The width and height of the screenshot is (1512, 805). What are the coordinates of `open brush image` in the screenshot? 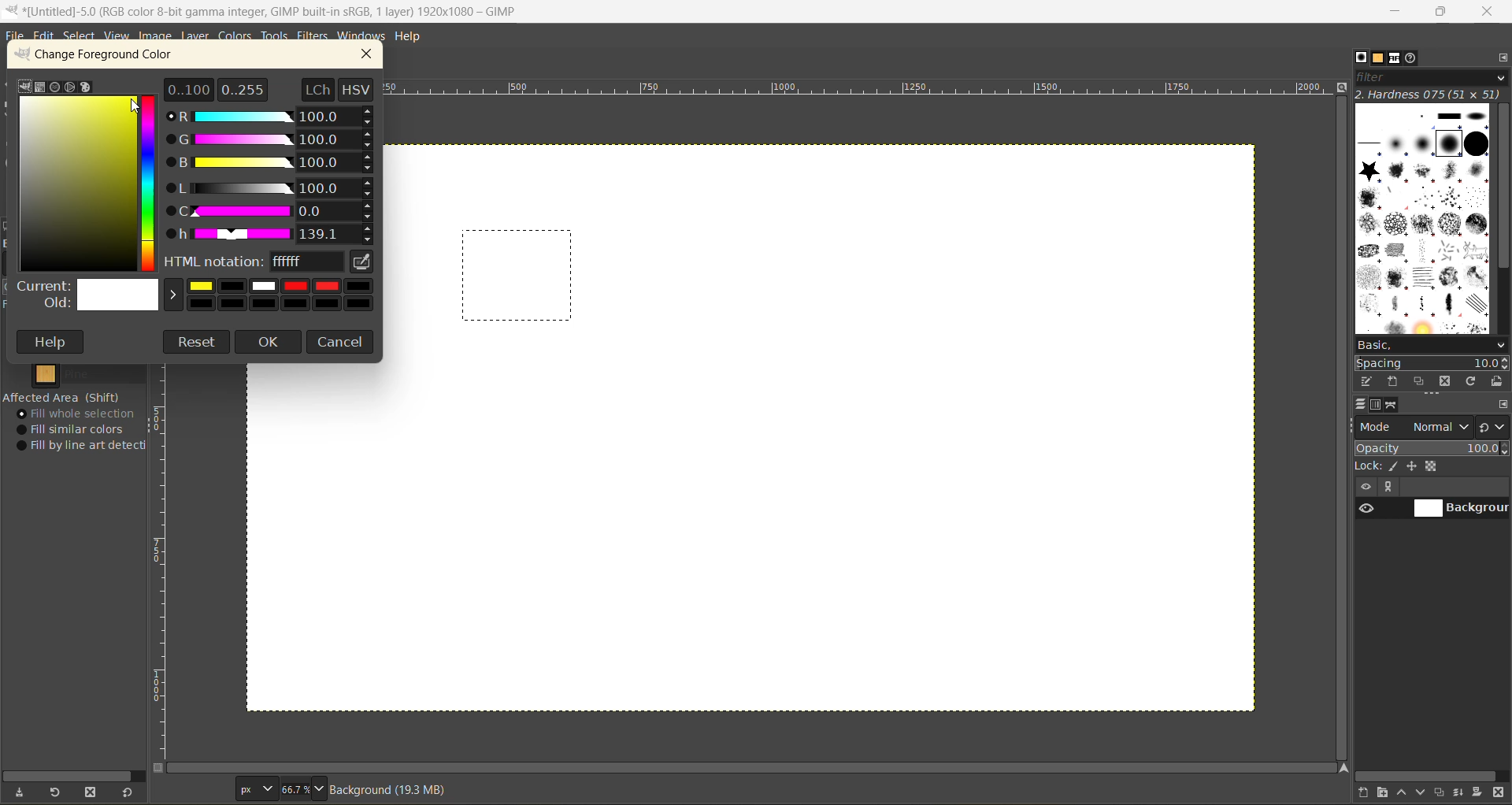 It's located at (1498, 383).